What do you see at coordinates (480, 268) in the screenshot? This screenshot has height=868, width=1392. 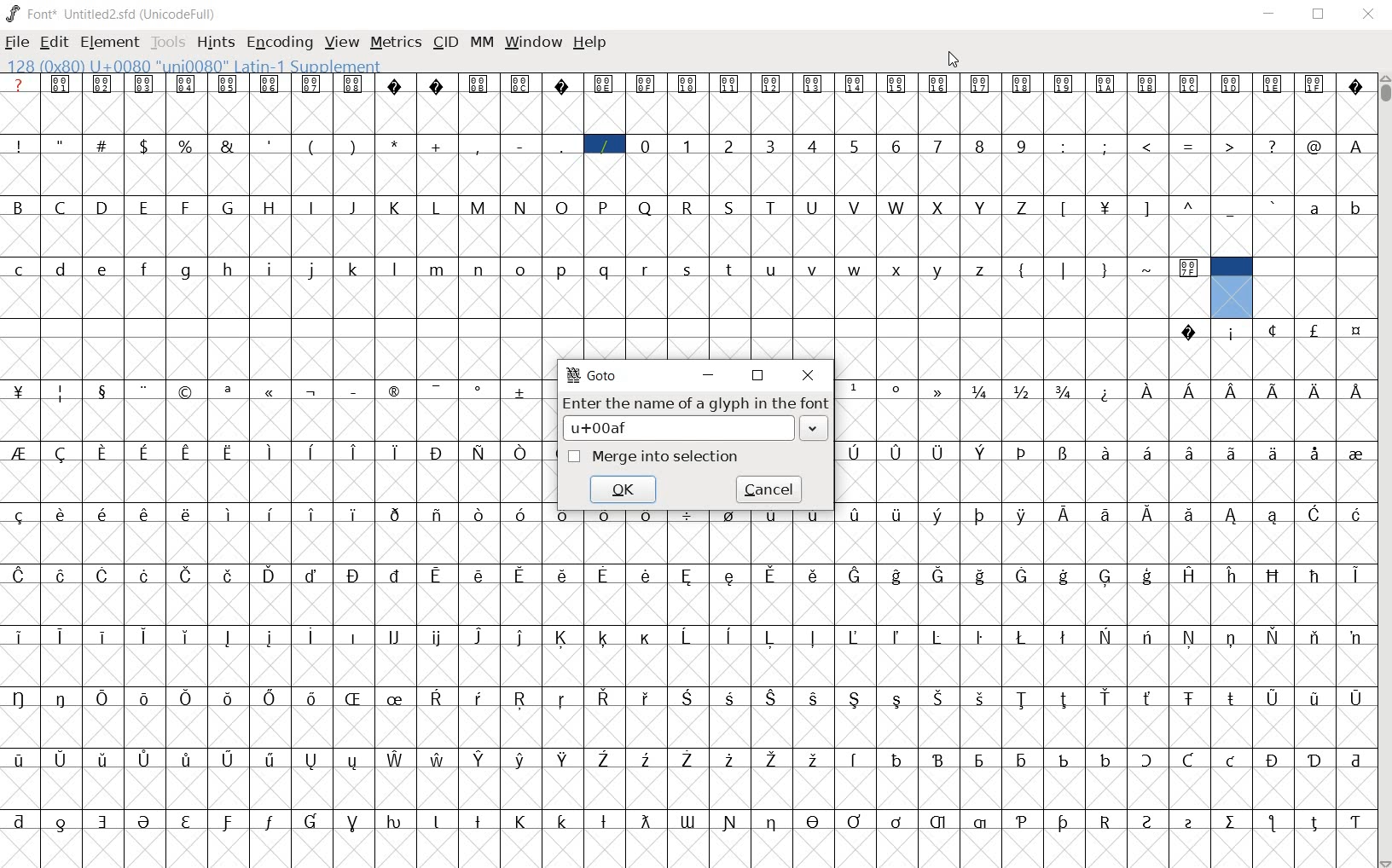 I see `n` at bounding box center [480, 268].